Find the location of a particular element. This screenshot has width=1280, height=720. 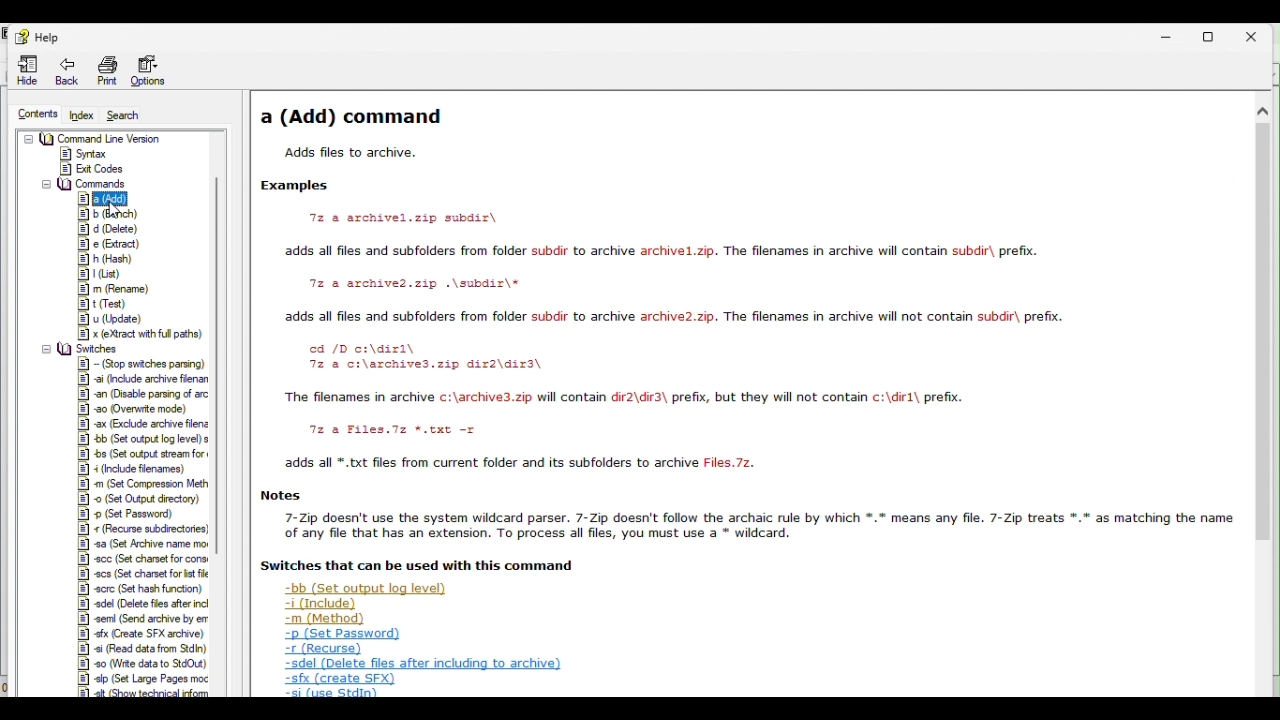

x is located at coordinates (136, 334).